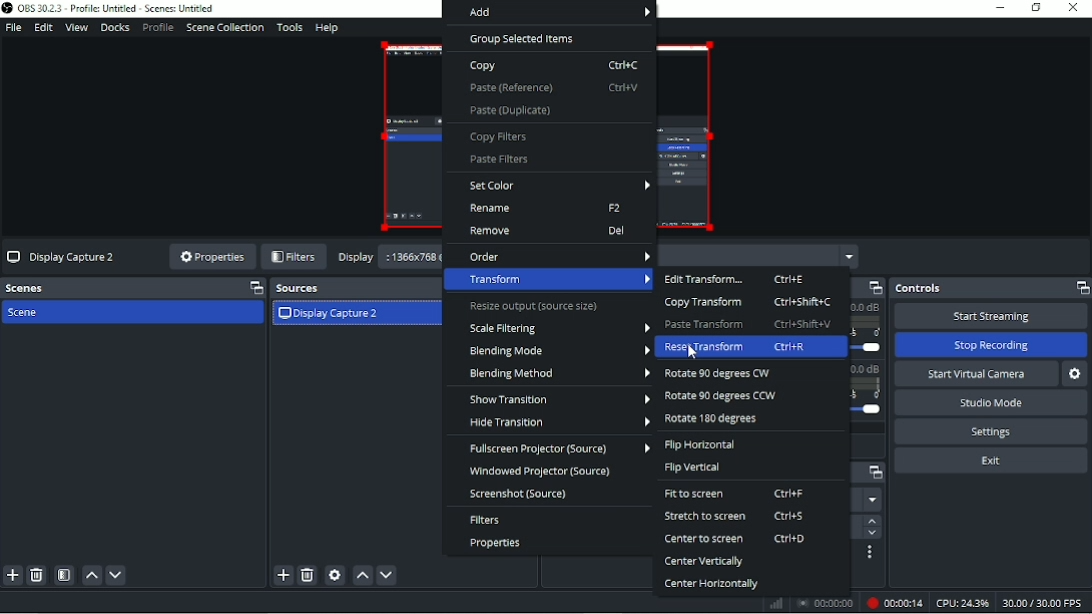 This screenshot has height=614, width=1092. Describe the element at coordinates (736, 538) in the screenshot. I see `Center to screen` at that location.